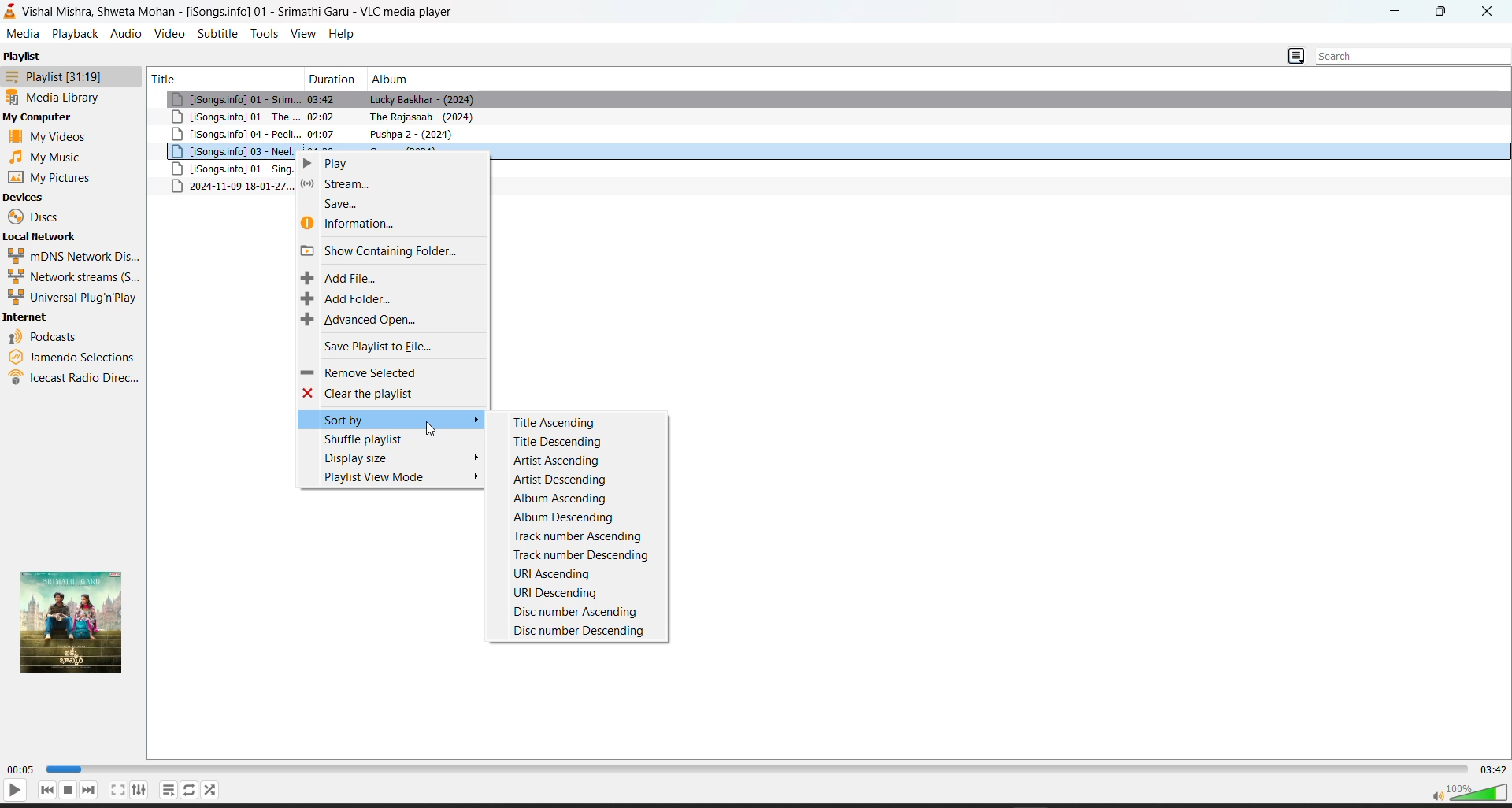 Image resolution: width=1512 pixels, height=808 pixels. I want to click on thumbnail, so click(78, 623).